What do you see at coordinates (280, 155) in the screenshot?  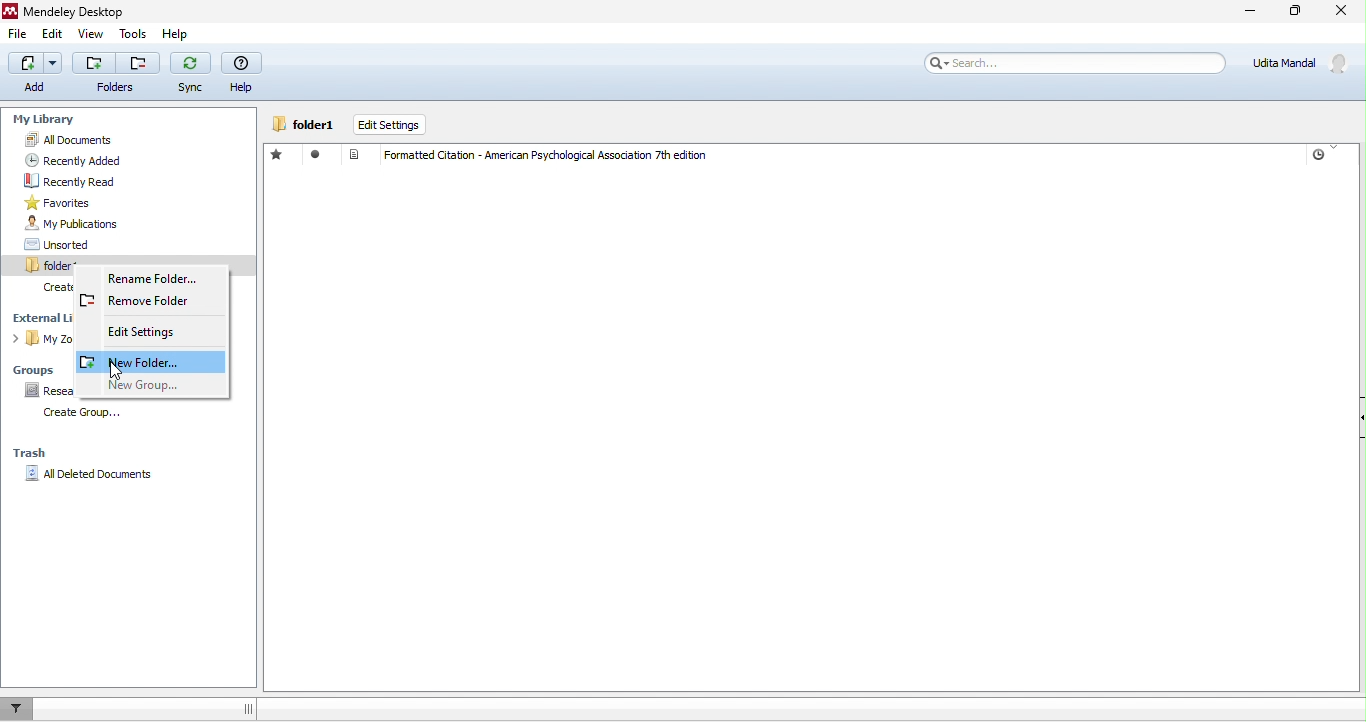 I see `favorite` at bounding box center [280, 155].